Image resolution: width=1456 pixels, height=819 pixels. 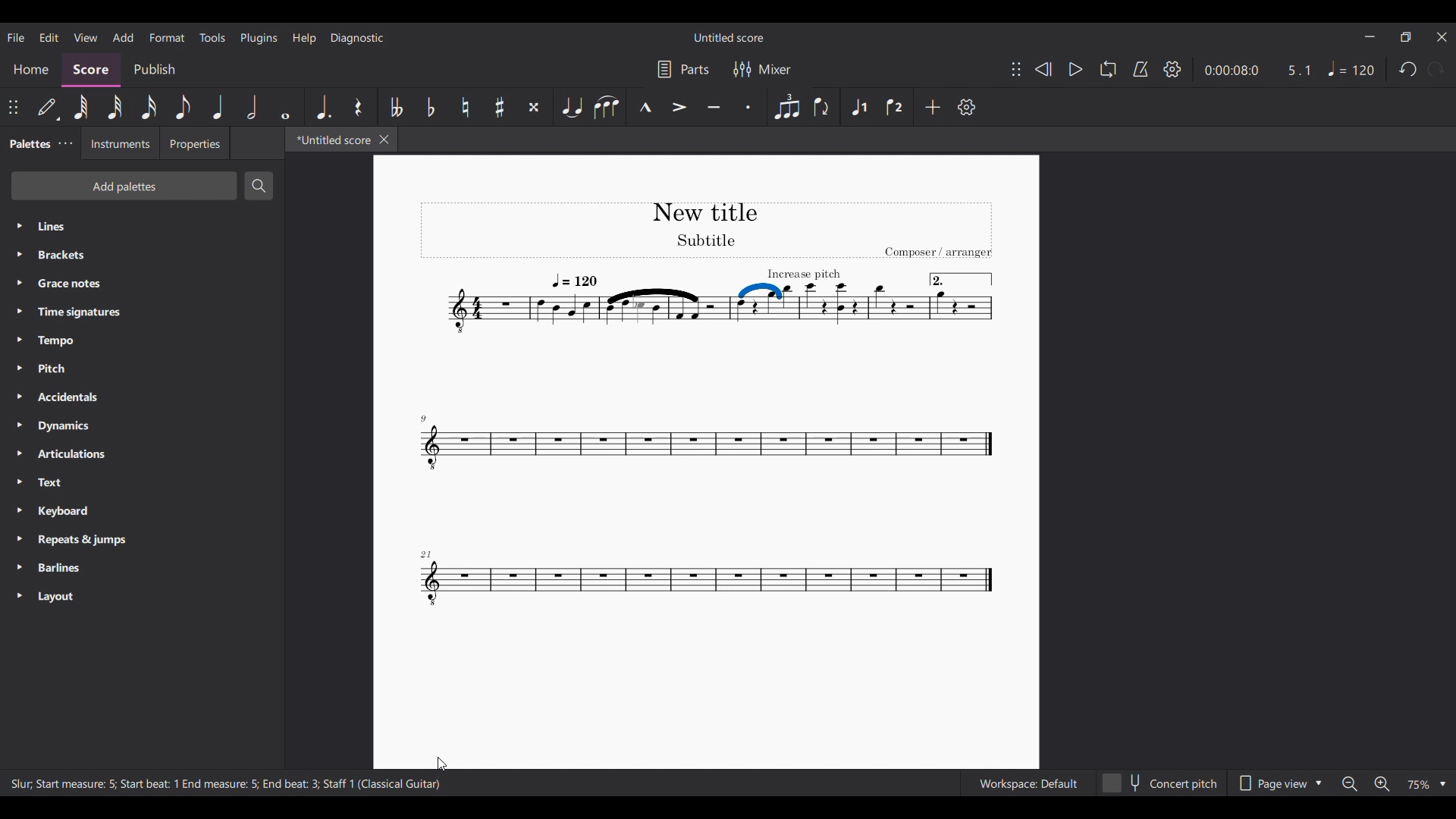 I want to click on Slur, Start measure: 5; Start beat: 1 End measure: 5; End beat: 3; Staff 1 (Classical Guitar), so click(x=226, y=783).